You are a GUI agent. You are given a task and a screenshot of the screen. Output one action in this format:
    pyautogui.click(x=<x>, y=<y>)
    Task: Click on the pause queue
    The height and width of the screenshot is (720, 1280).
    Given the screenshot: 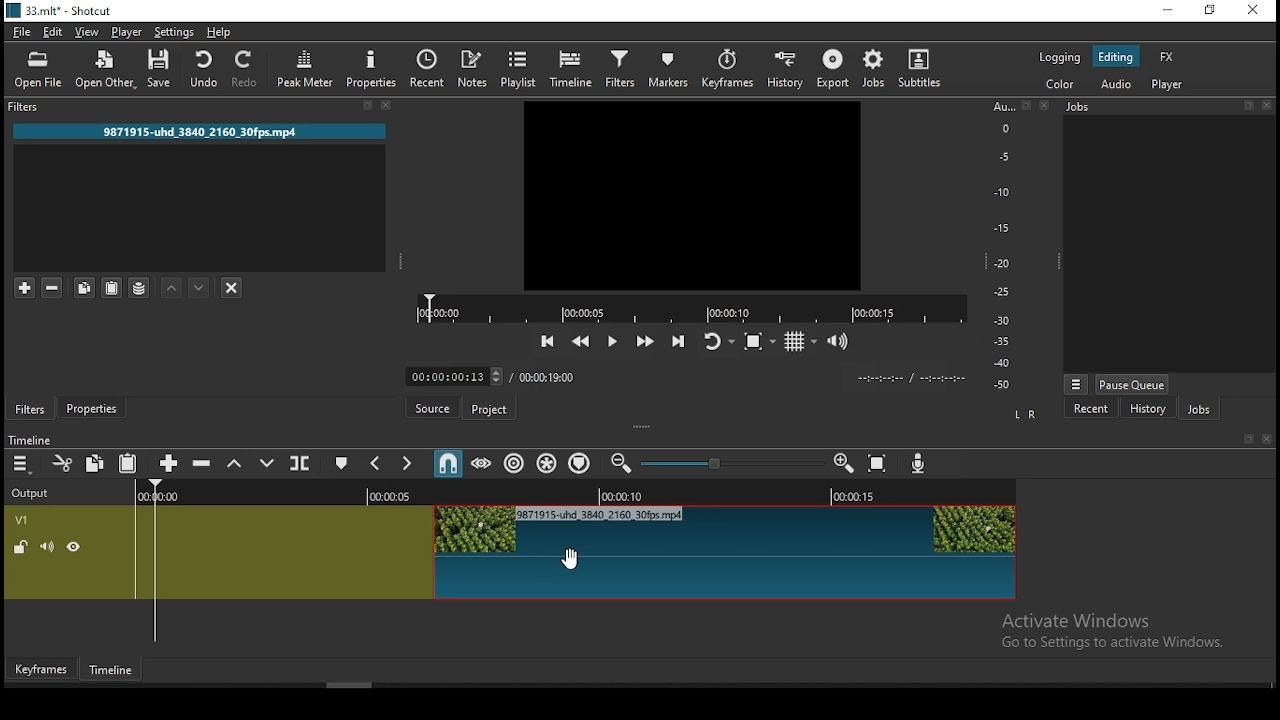 What is the action you would take?
    pyautogui.click(x=1136, y=382)
    